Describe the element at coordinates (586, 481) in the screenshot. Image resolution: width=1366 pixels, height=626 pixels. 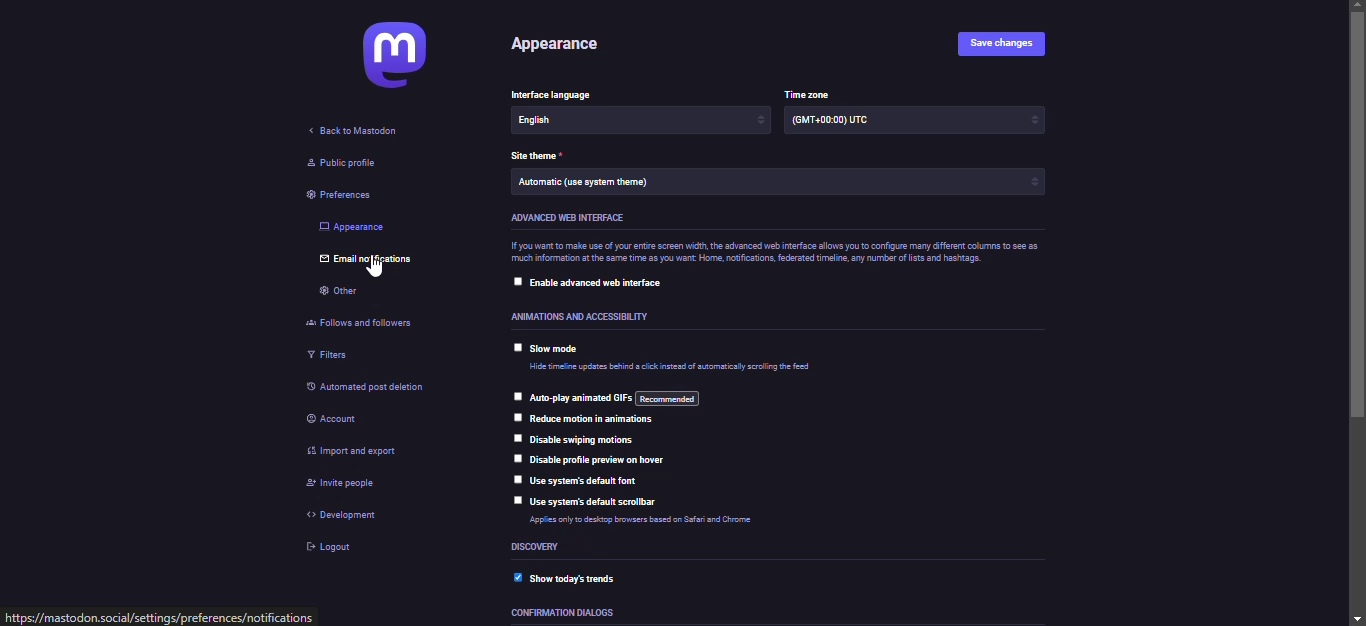
I see `use system's default font` at that location.